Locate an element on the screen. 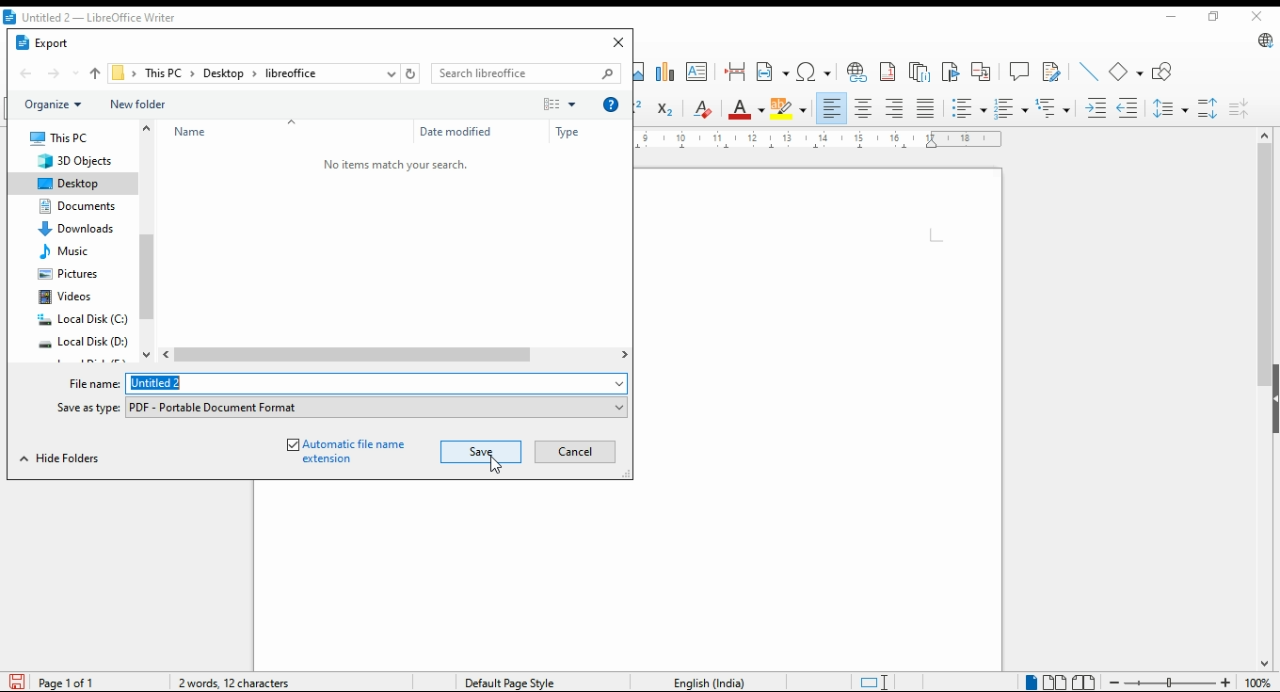 The height and width of the screenshot is (692, 1280). insert field is located at coordinates (772, 72).